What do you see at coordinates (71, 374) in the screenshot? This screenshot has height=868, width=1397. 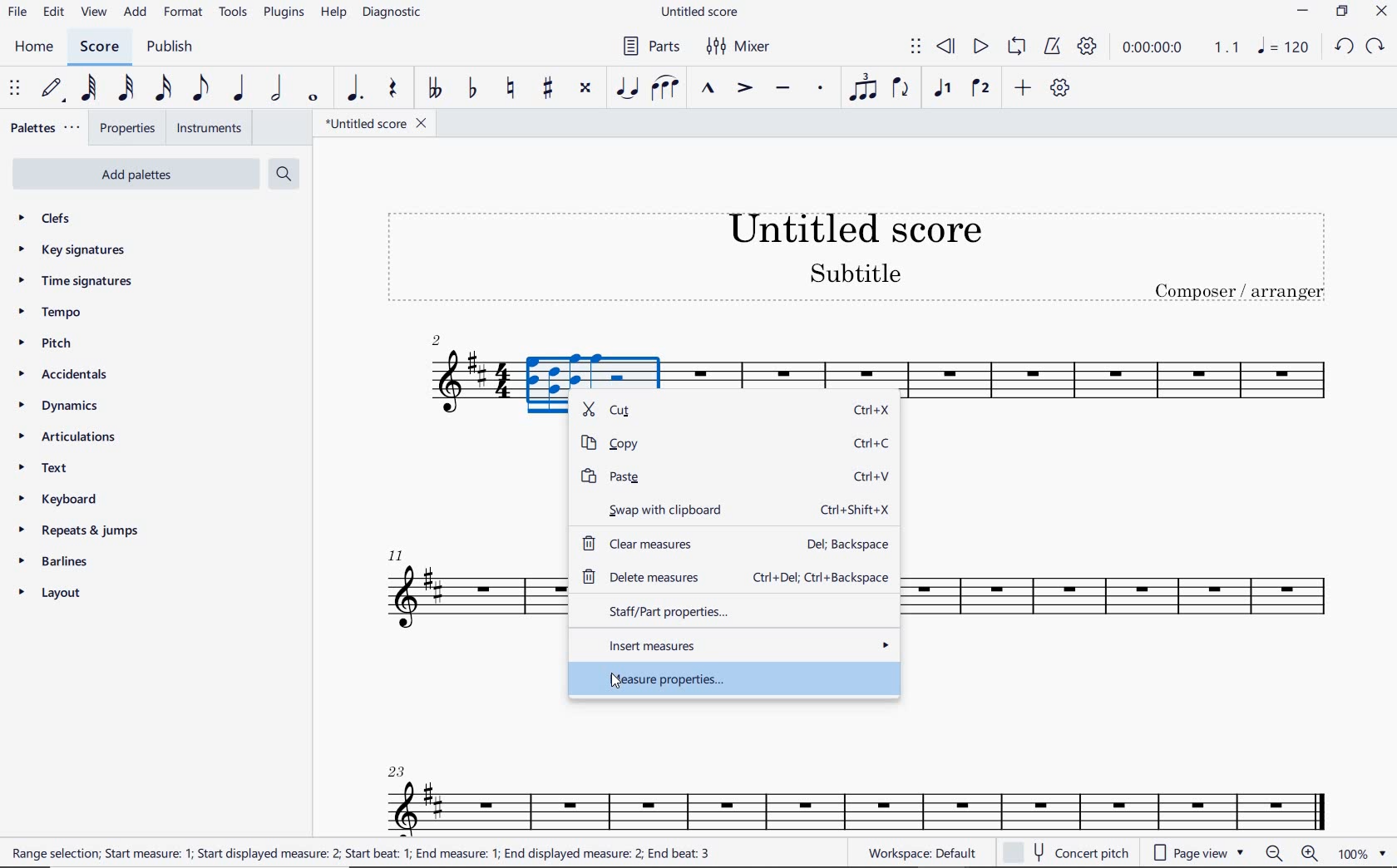 I see `ACCIDENTALS` at bounding box center [71, 374].